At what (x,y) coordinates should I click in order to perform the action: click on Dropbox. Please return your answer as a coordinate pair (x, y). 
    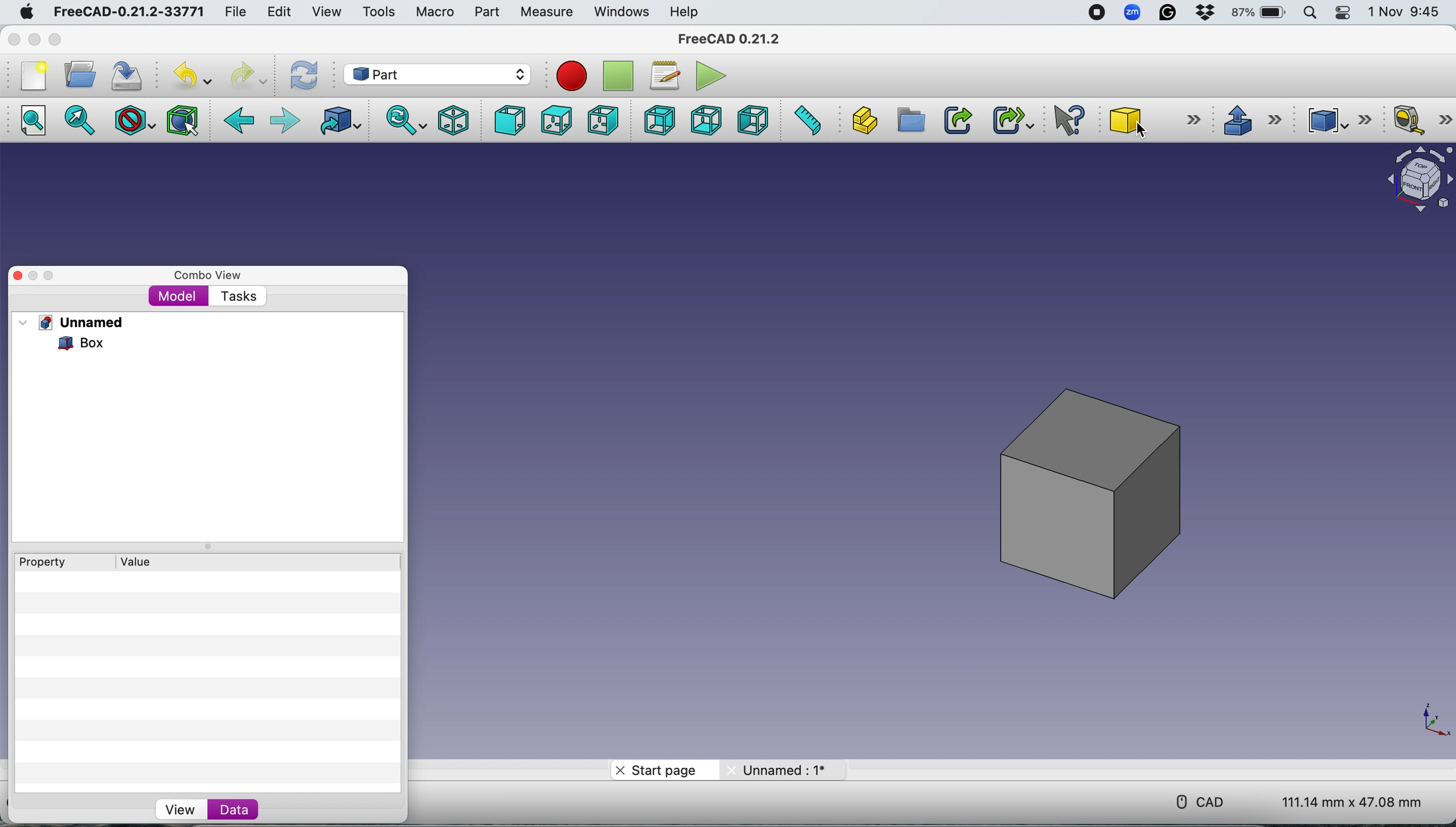
    Looking at the image, I should click on (1206, 14).